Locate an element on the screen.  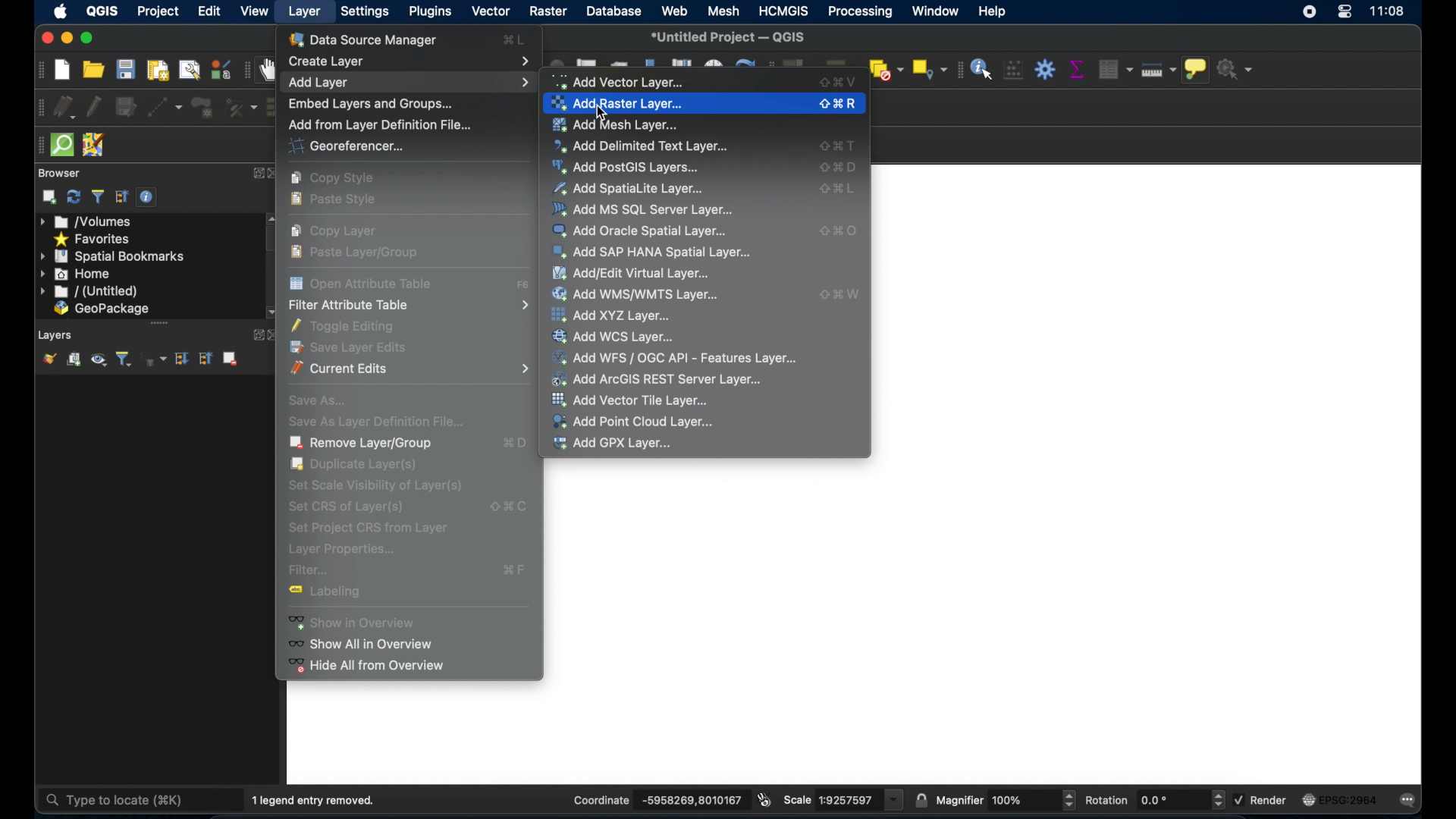
geo package is located at coordinates (101, 309).